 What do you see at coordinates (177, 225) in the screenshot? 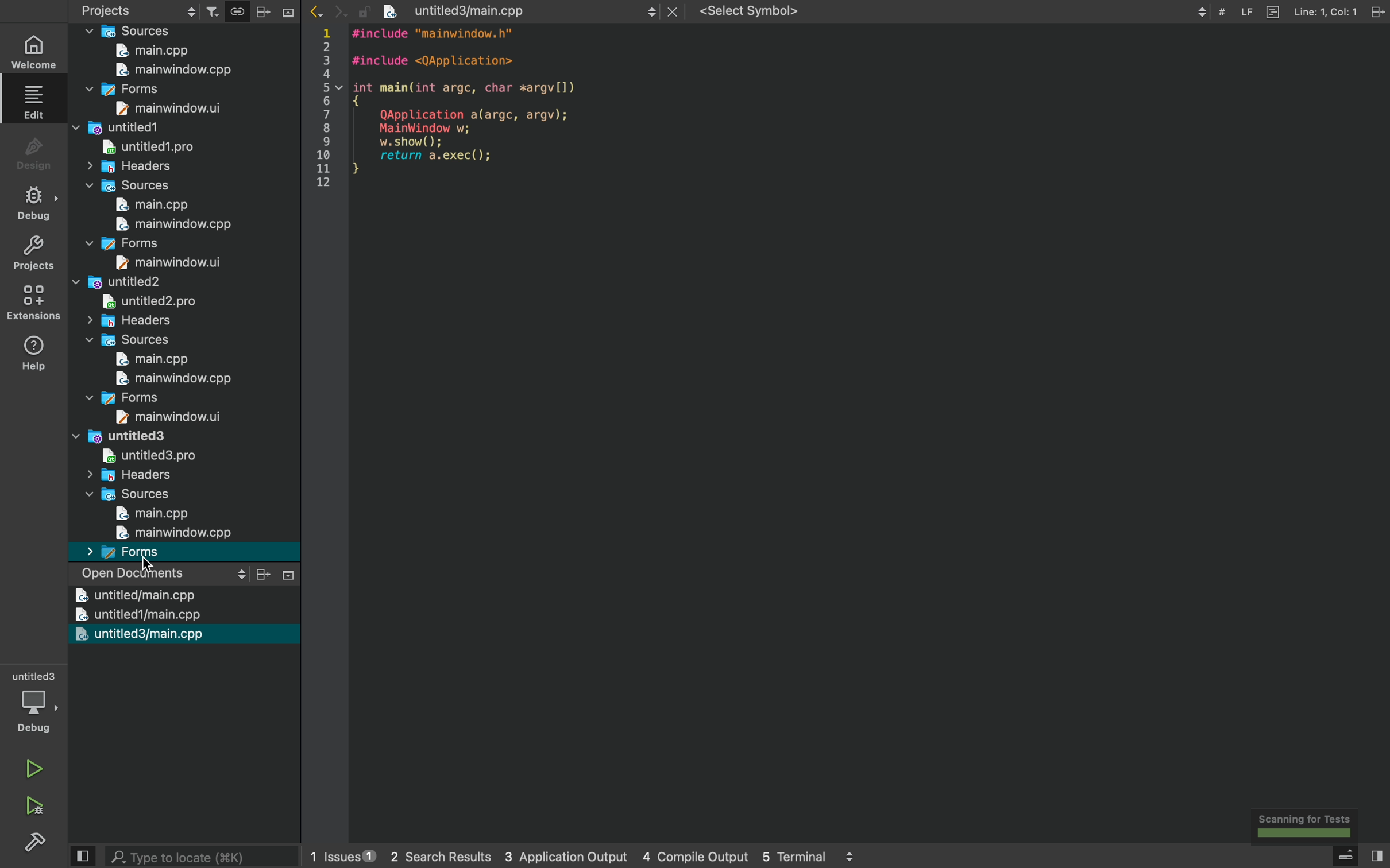
I see `mainwindow` at bounding box center [177, 225].